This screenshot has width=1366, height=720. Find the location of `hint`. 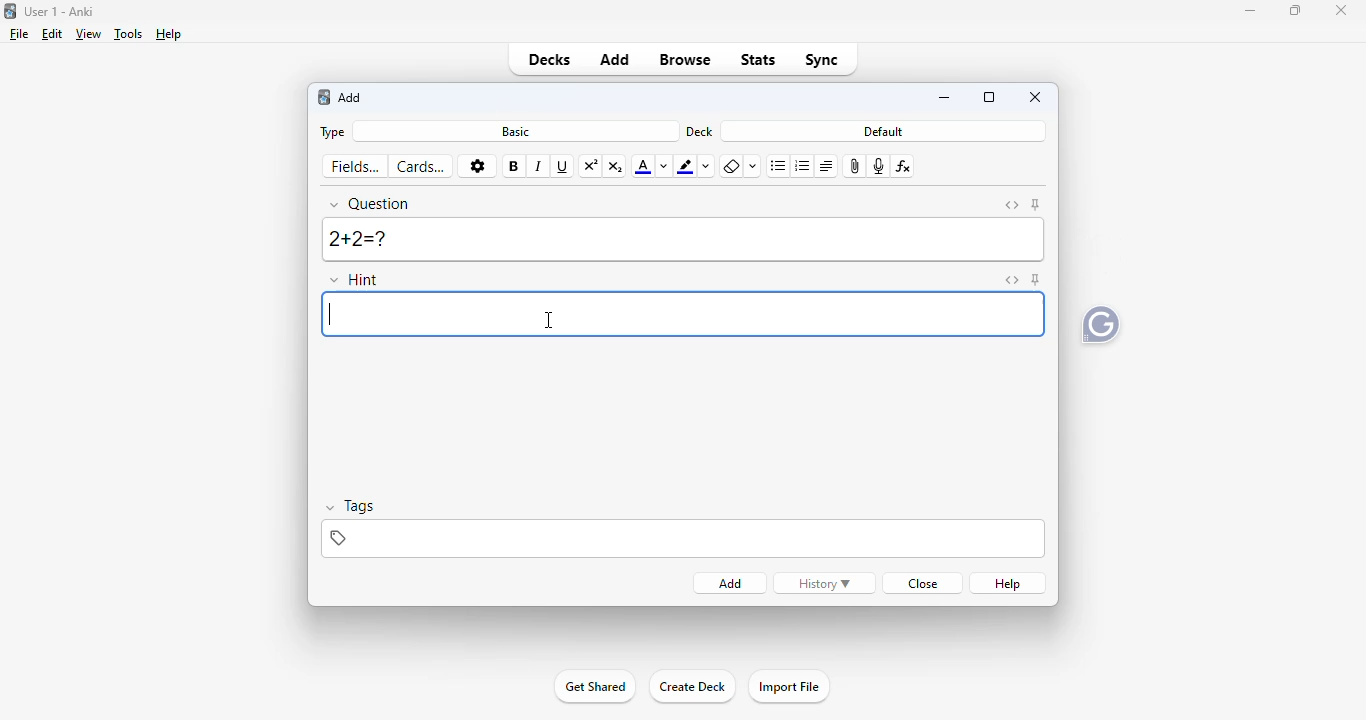

hint is located at coordinates (353, 279).